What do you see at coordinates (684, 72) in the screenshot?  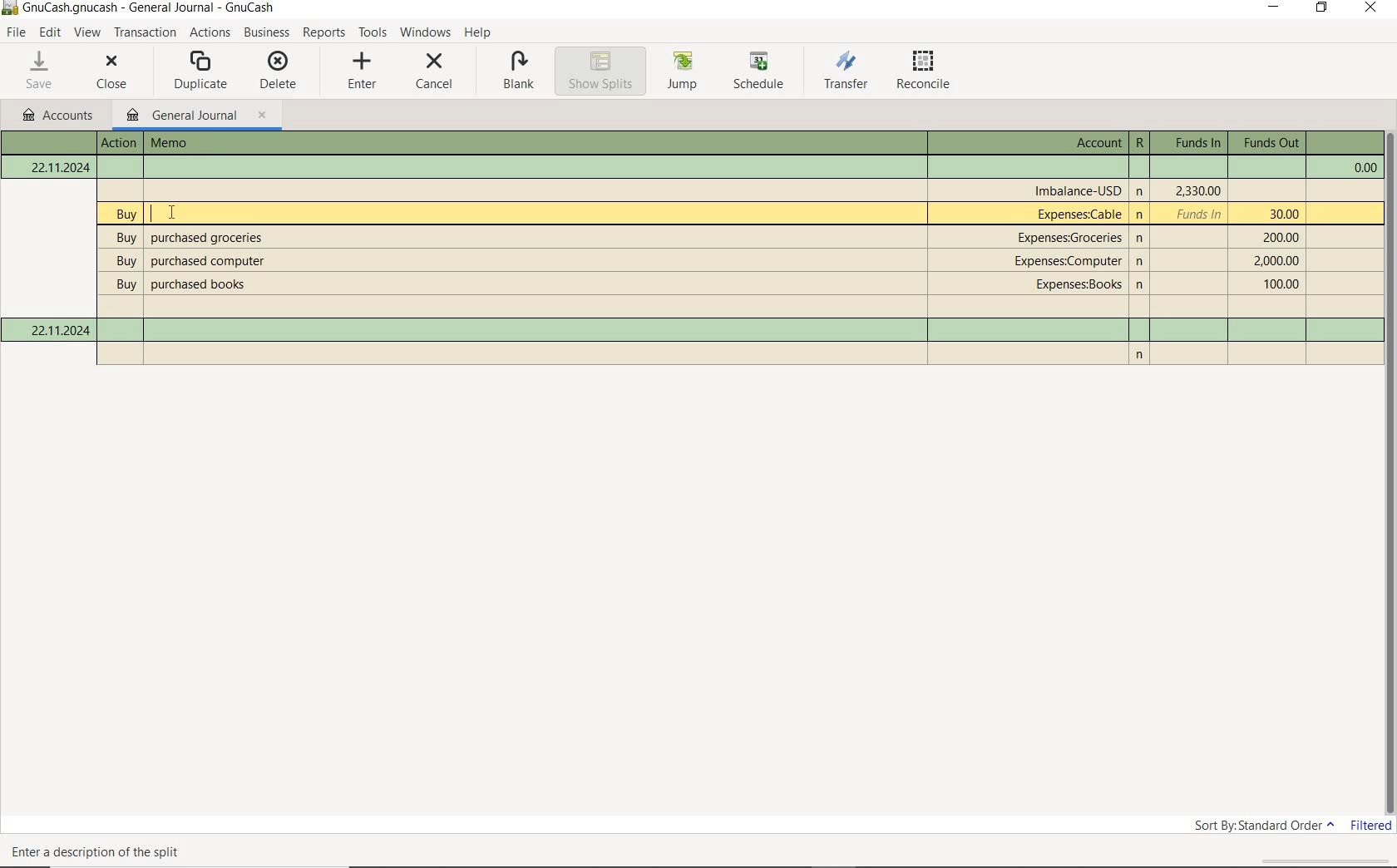 I see `jump` at bounding box center [684, 72].